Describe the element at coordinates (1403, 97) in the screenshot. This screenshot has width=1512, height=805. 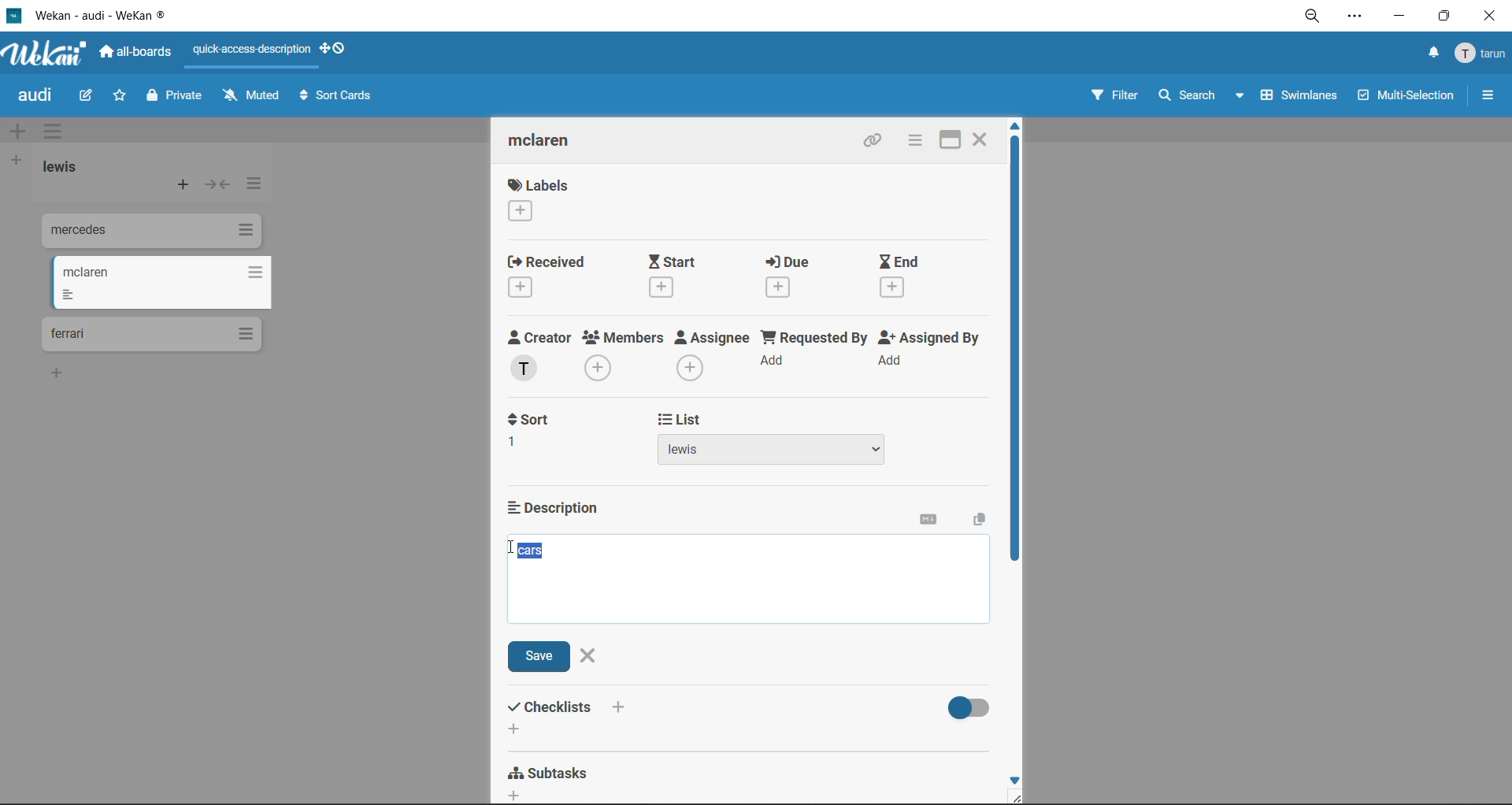
I see `multiselection` at that location.